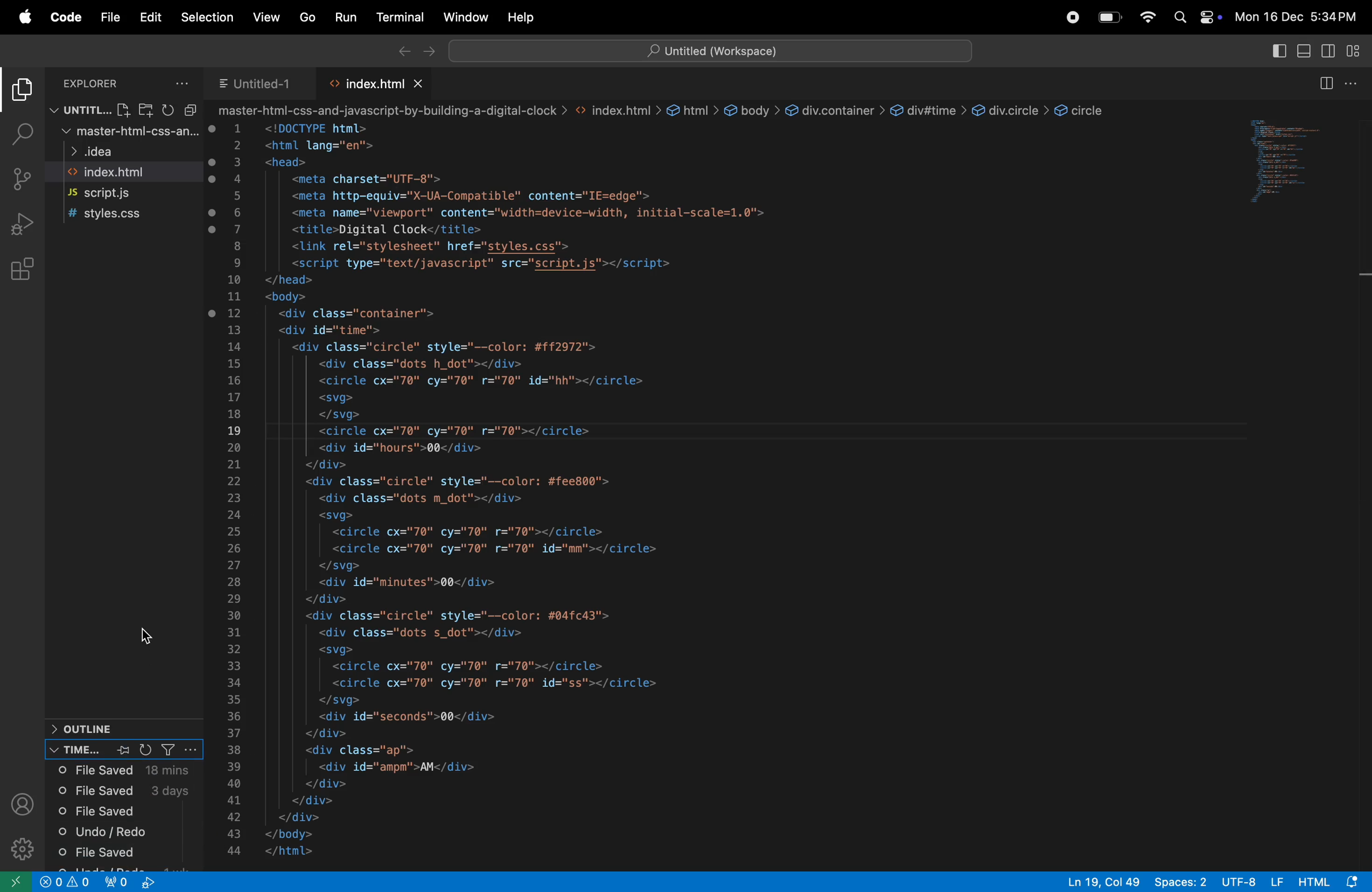 The image size is (1372, 892). I want to click on master html, so click(126, 133).